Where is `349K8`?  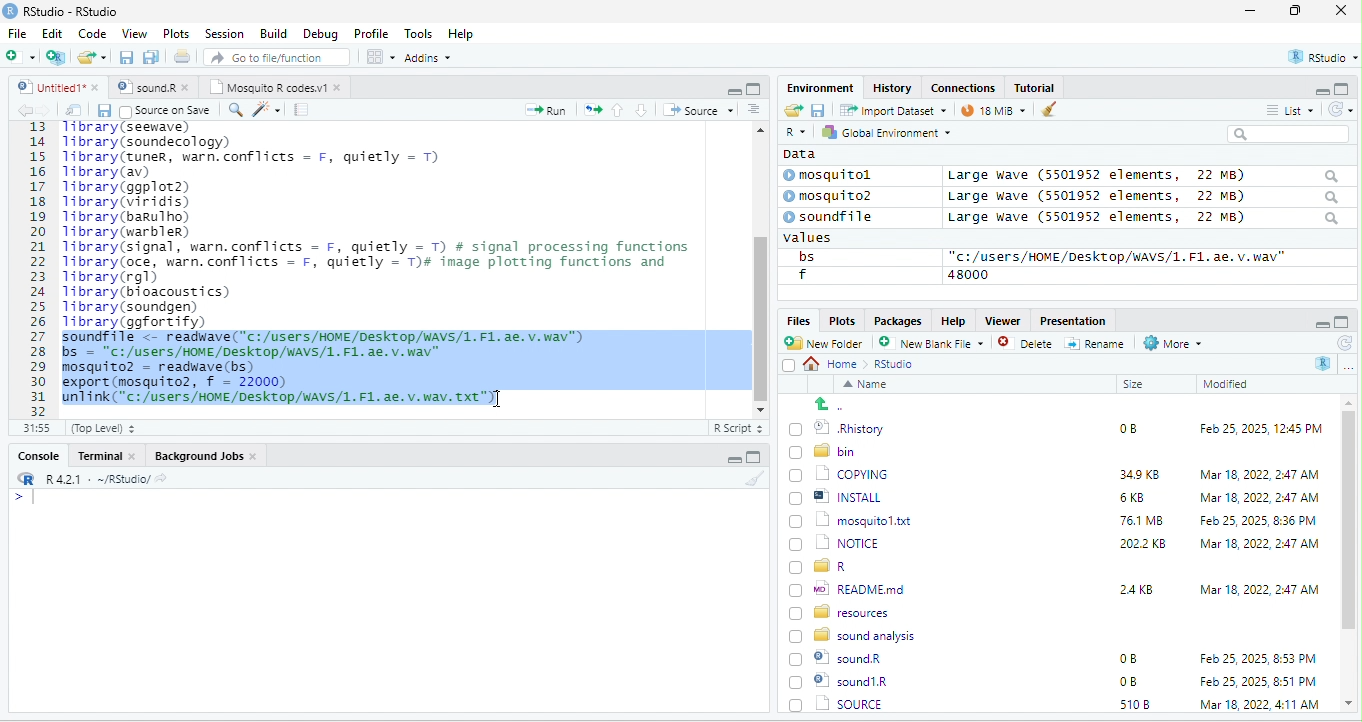 349K8 is located at coordinates (1140, 475).